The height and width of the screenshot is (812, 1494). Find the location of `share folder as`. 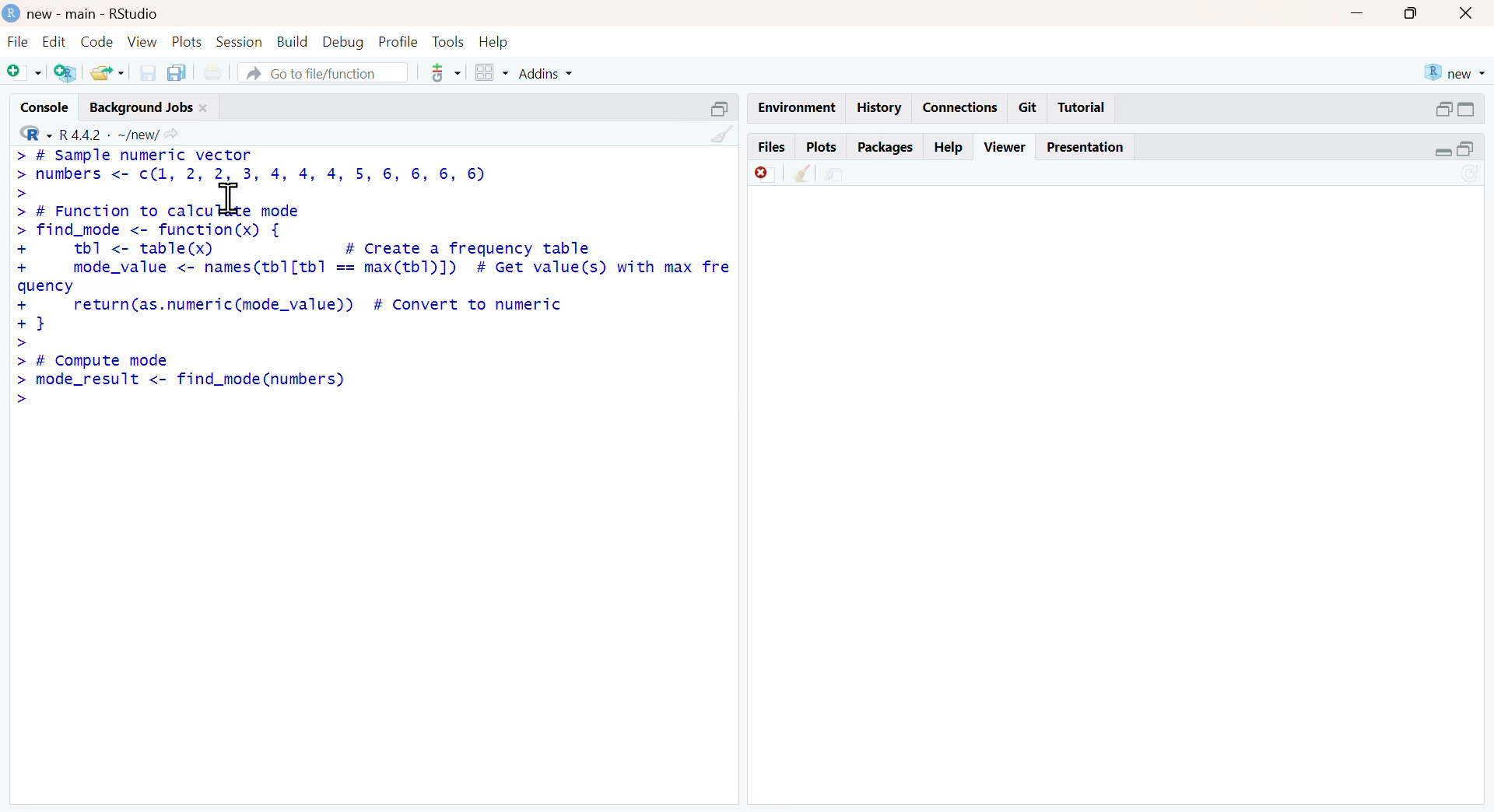

share folder as is located at coordinates (109, 73).